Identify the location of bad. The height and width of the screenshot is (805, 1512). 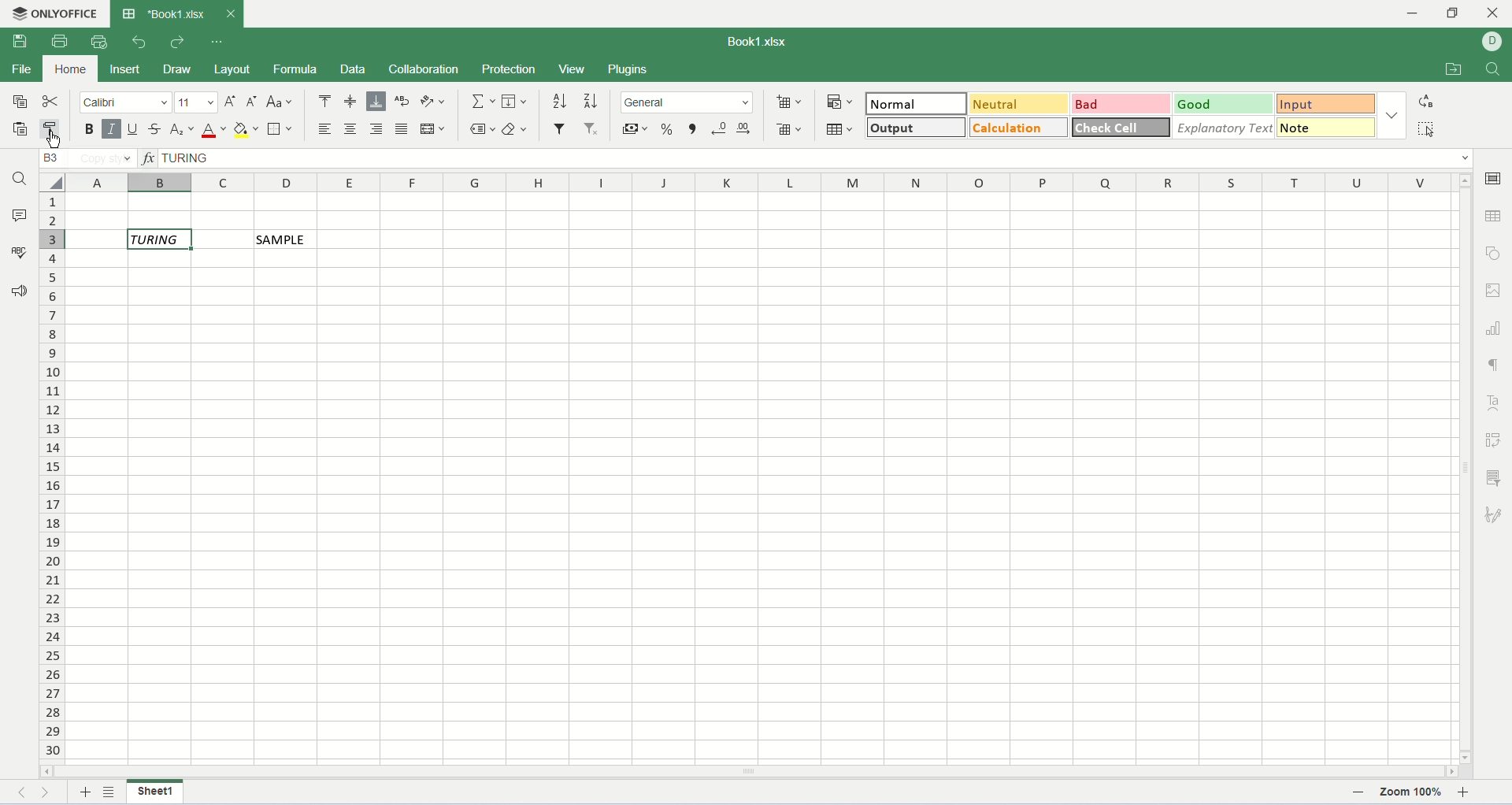
(1121, 105).